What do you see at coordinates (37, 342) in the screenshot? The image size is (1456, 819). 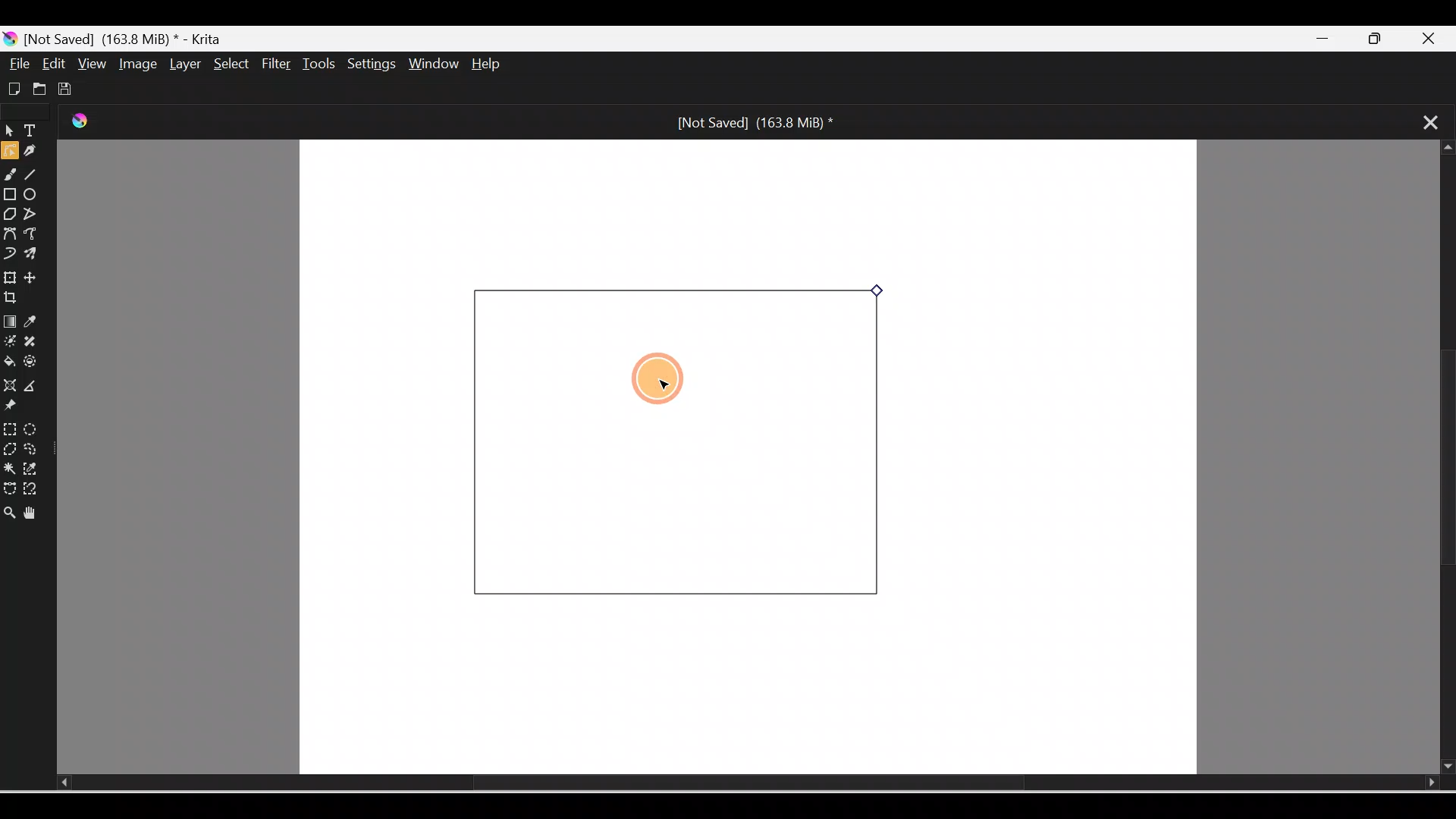 I see `Smart patch tool` at bounding box center [37, 342].